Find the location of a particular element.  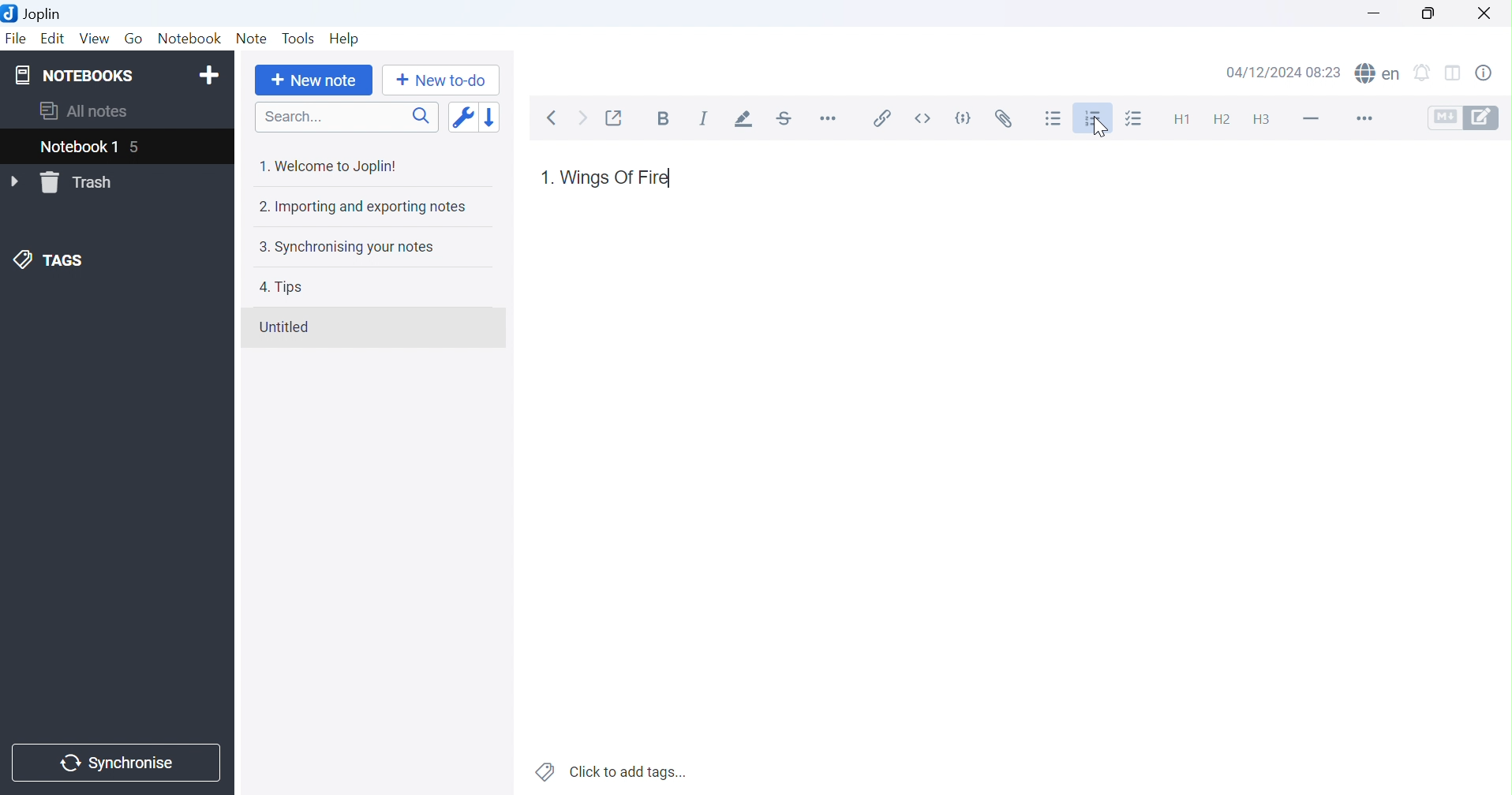

2. Importing and exporting notes is located at coordinates (361, 207).